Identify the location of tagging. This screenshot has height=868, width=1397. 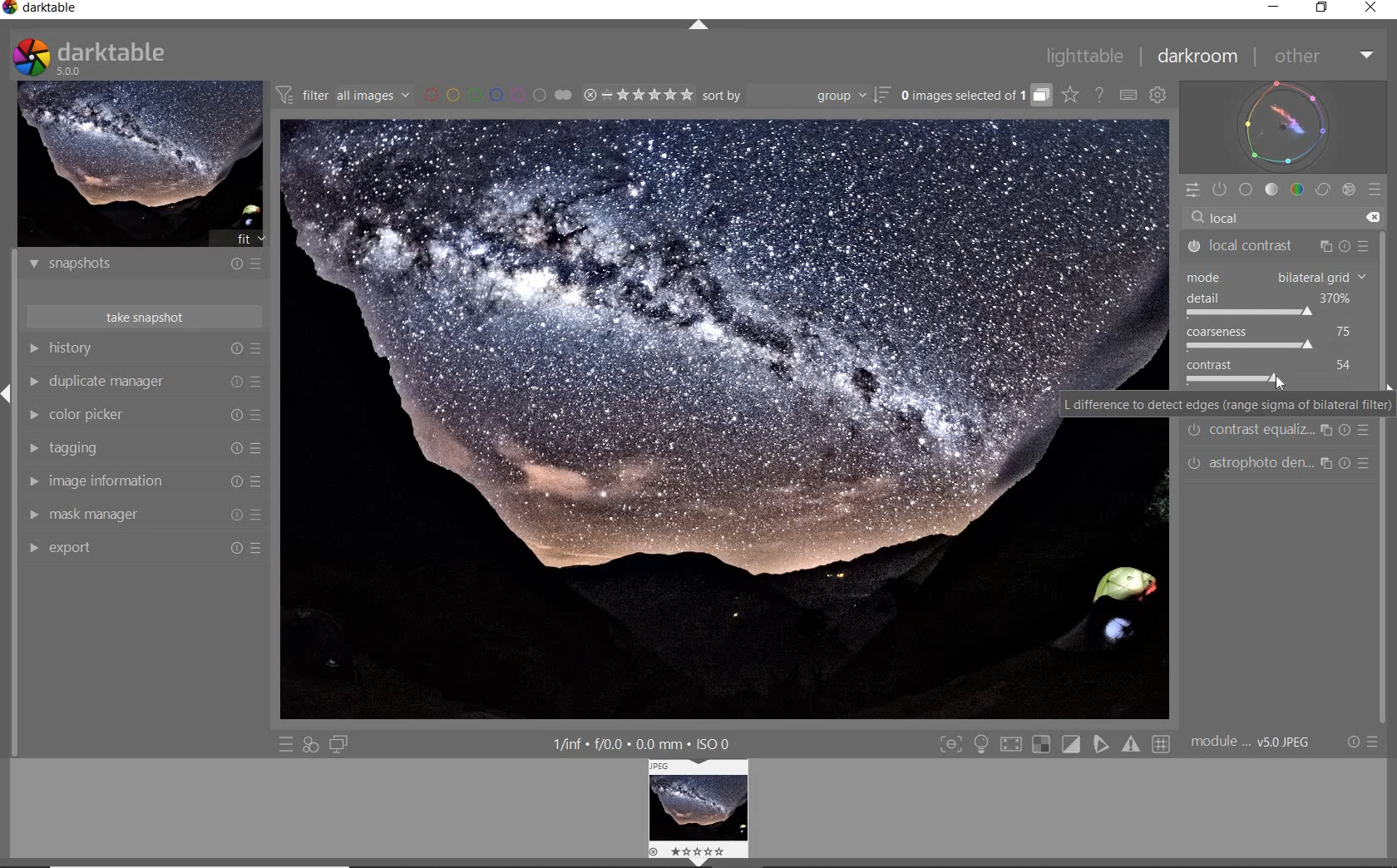
(86, 447).